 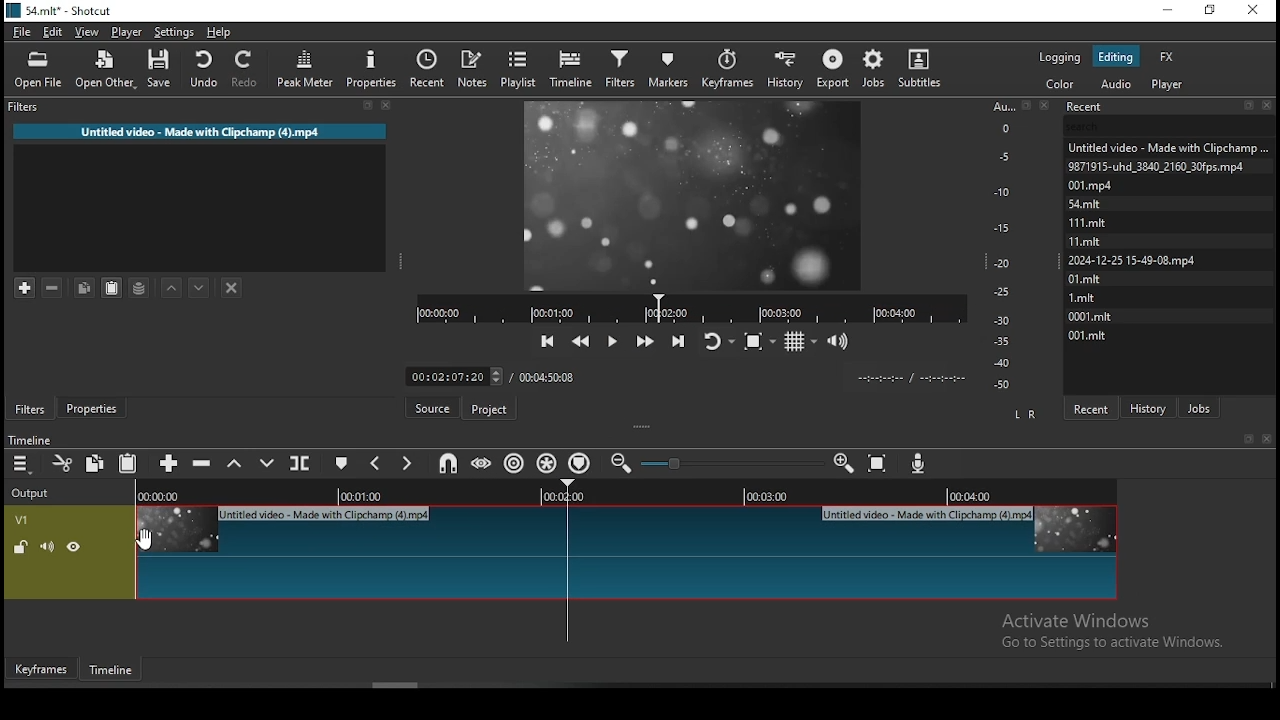 What do you see at coordinates (1131, 262) in the screenshot?
I see `files` at bounding box center [1131, 262].